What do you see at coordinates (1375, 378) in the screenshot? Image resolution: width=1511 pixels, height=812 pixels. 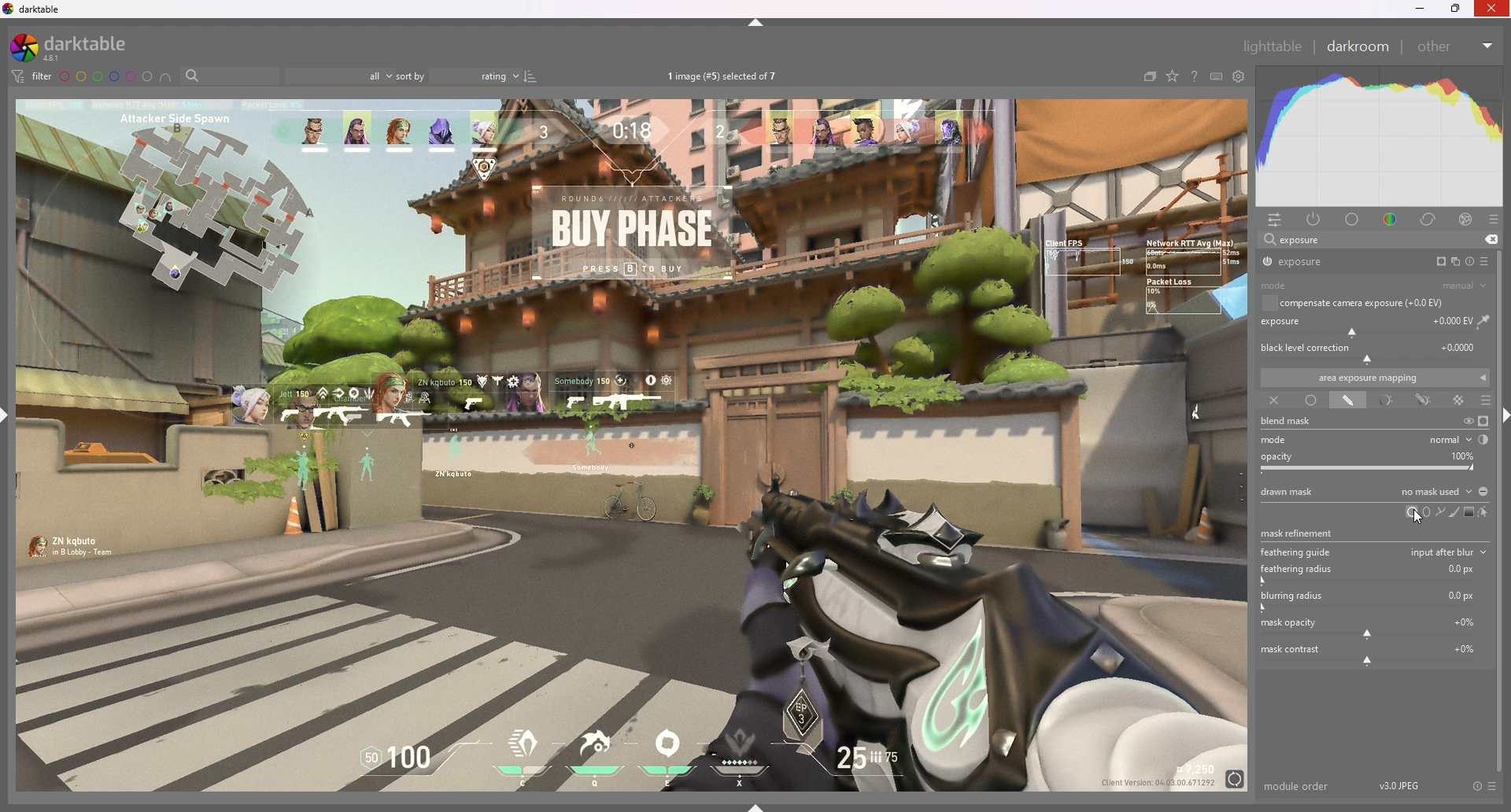 I see `area exposure mapping` at bounding box center [1375, 378].